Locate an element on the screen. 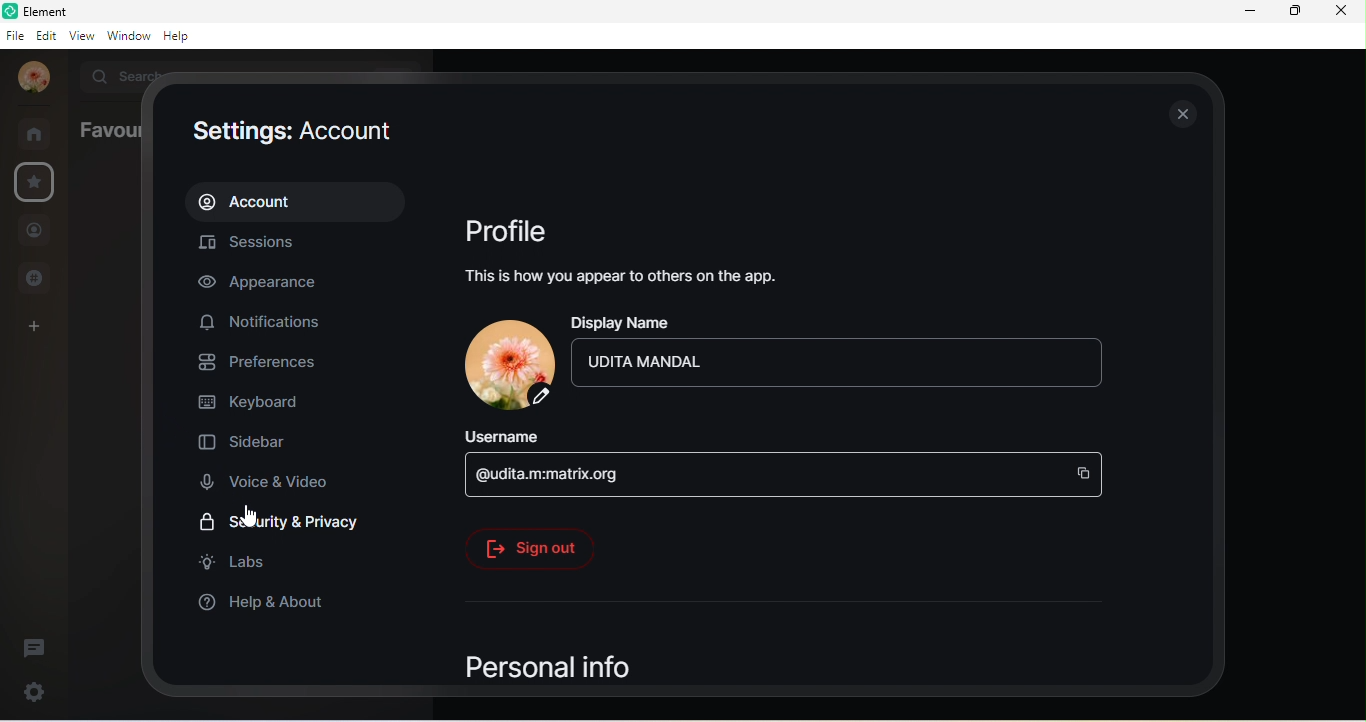  cursor movement is located at coordinates (245, 515).